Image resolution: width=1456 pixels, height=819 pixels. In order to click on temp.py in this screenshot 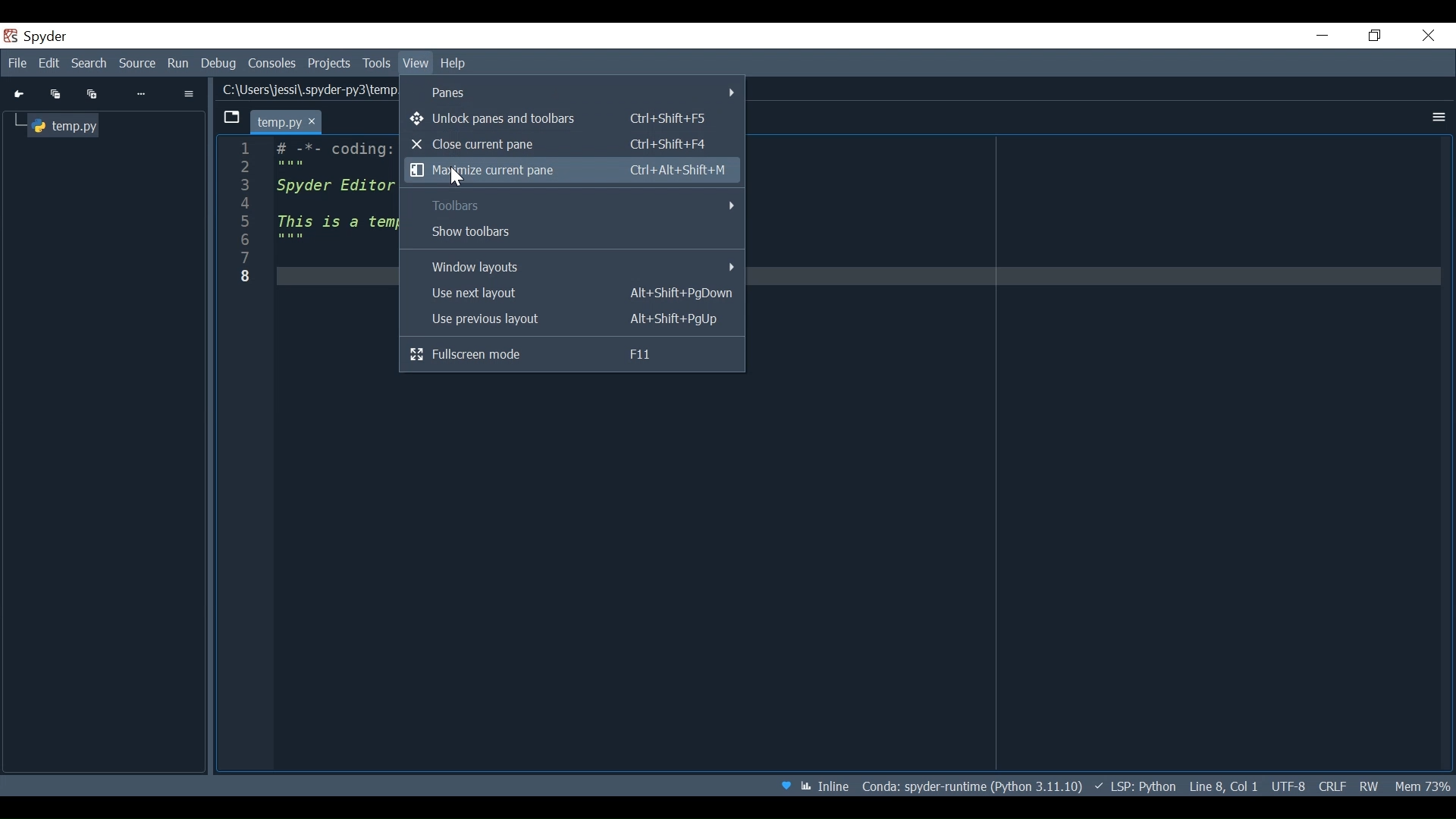, I will do `click(286, 122)`.